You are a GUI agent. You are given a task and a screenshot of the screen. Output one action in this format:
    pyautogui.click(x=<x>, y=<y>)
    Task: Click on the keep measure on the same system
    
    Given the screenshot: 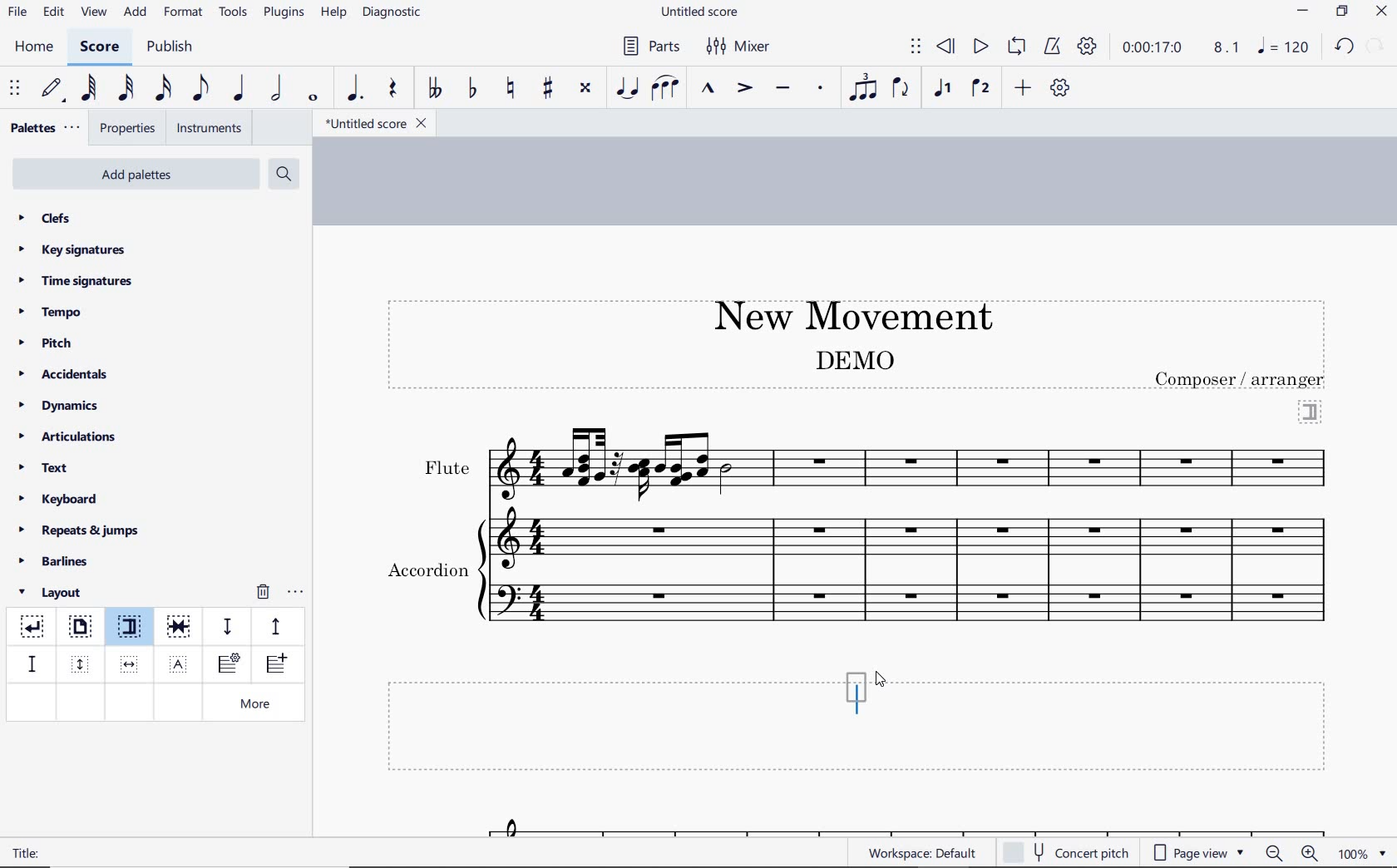 What is the action you would take?
    pyautogui.click(x=180, y=627)
    